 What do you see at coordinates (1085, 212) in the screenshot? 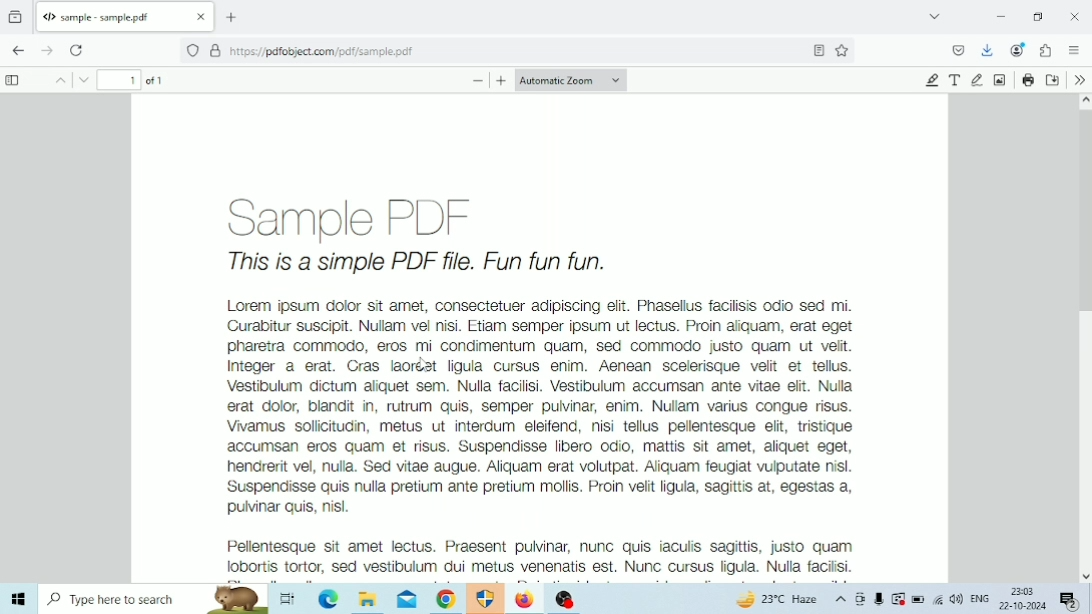
I see `Vertical scrollbar` at bounding box center [1085, 212].